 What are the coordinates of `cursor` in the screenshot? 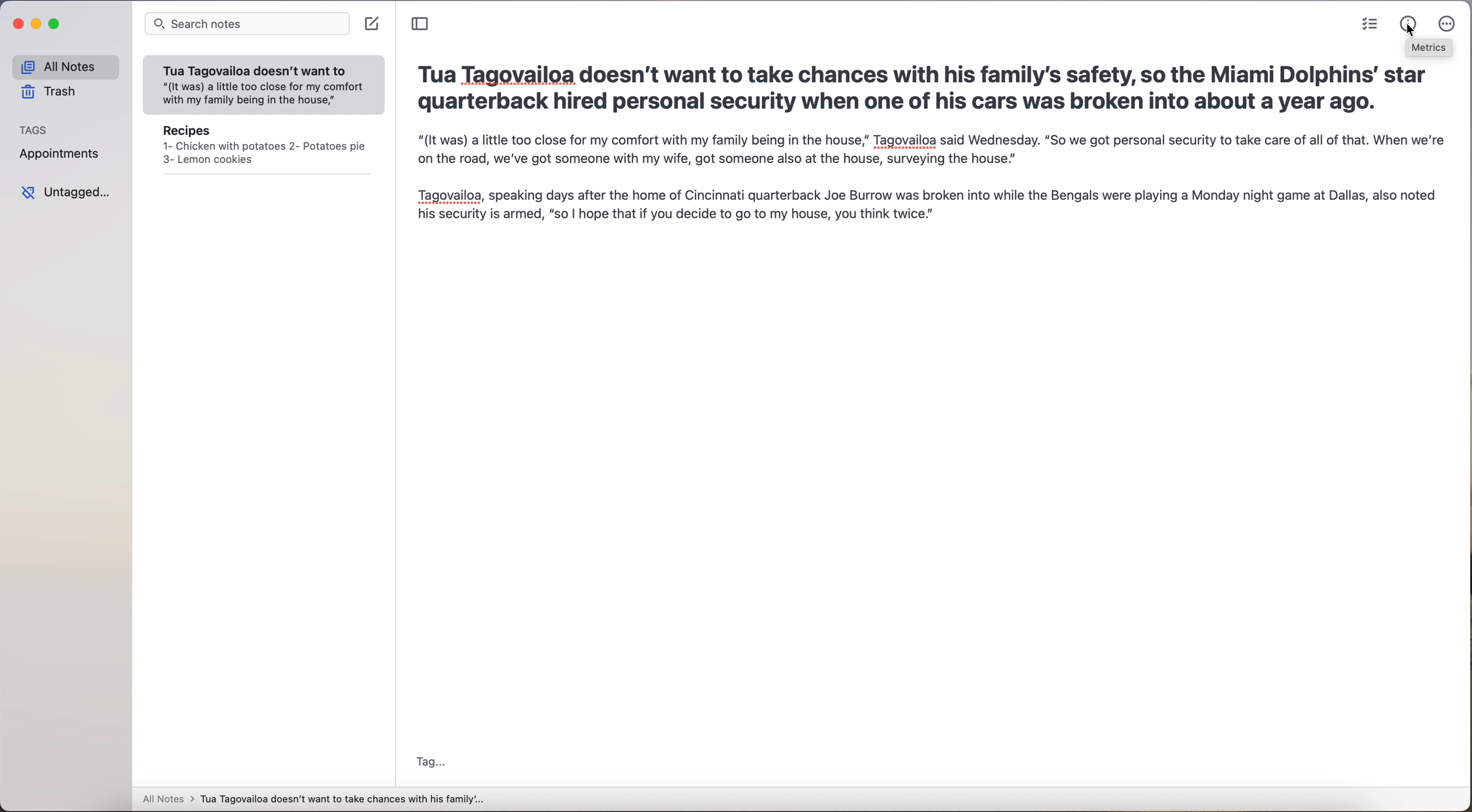 It's located at (1410, 33).